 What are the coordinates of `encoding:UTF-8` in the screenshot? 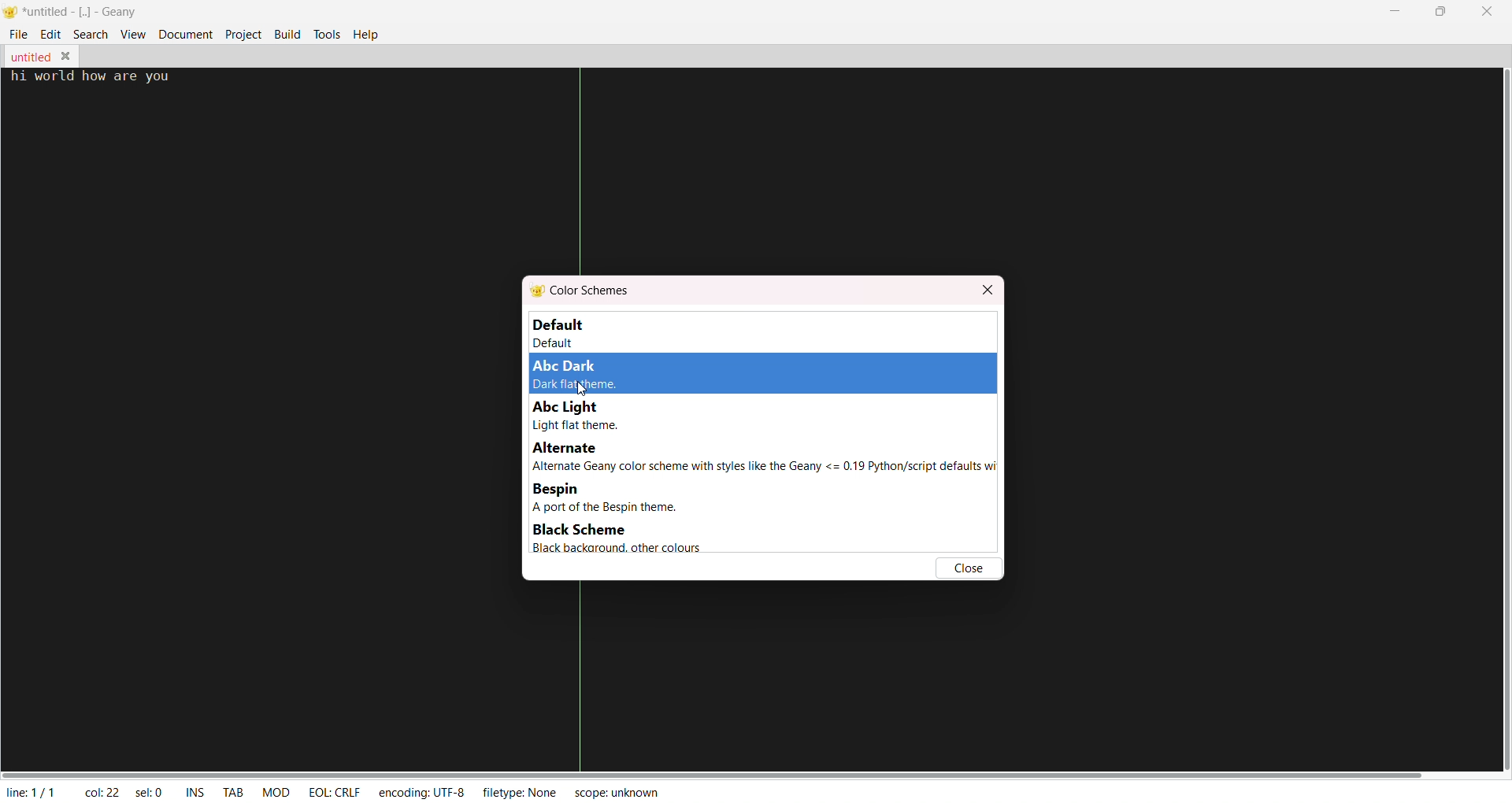 It's located at (425, 790).